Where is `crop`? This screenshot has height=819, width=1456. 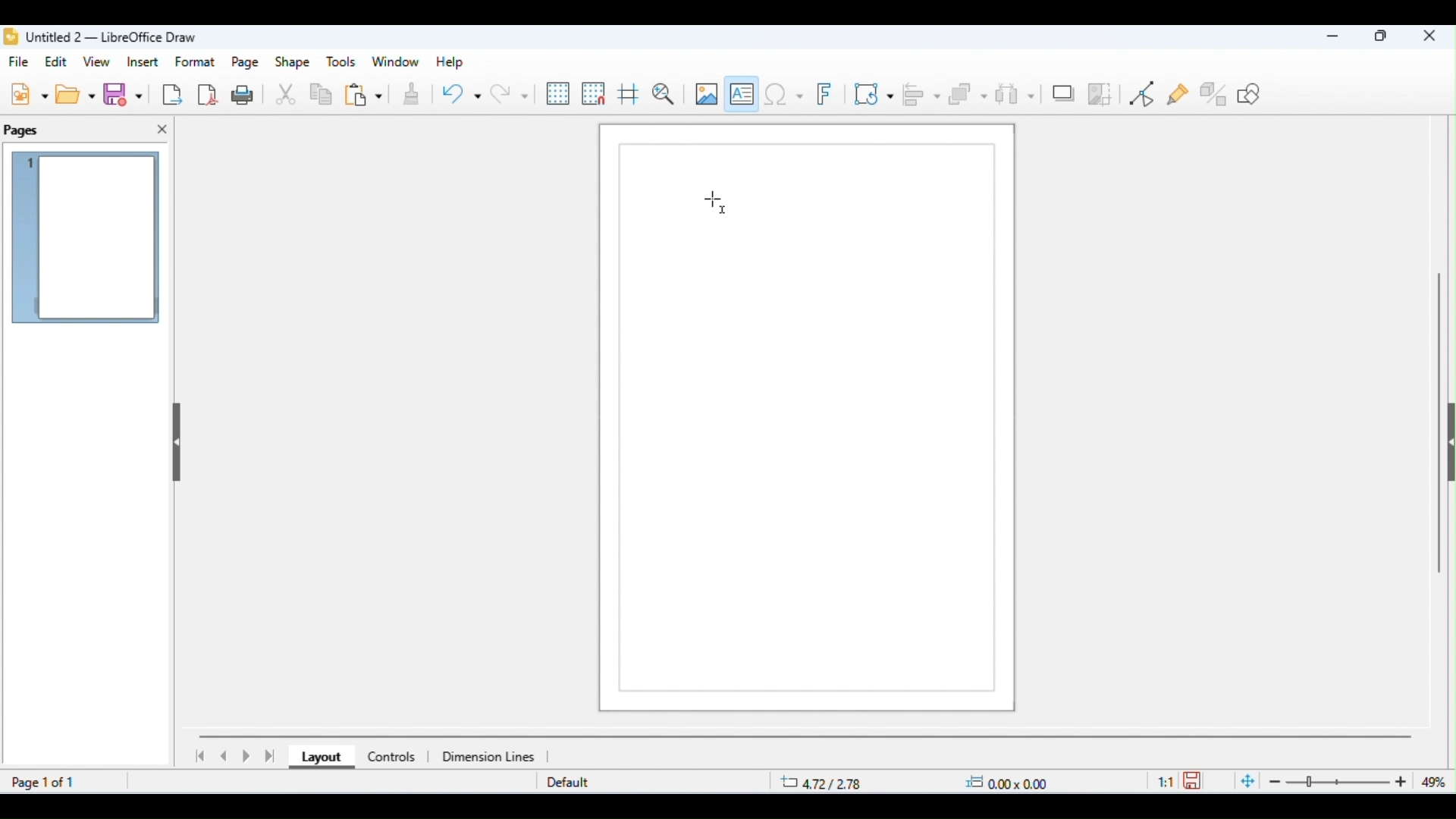
crop is located at coordinates (1100, 93).